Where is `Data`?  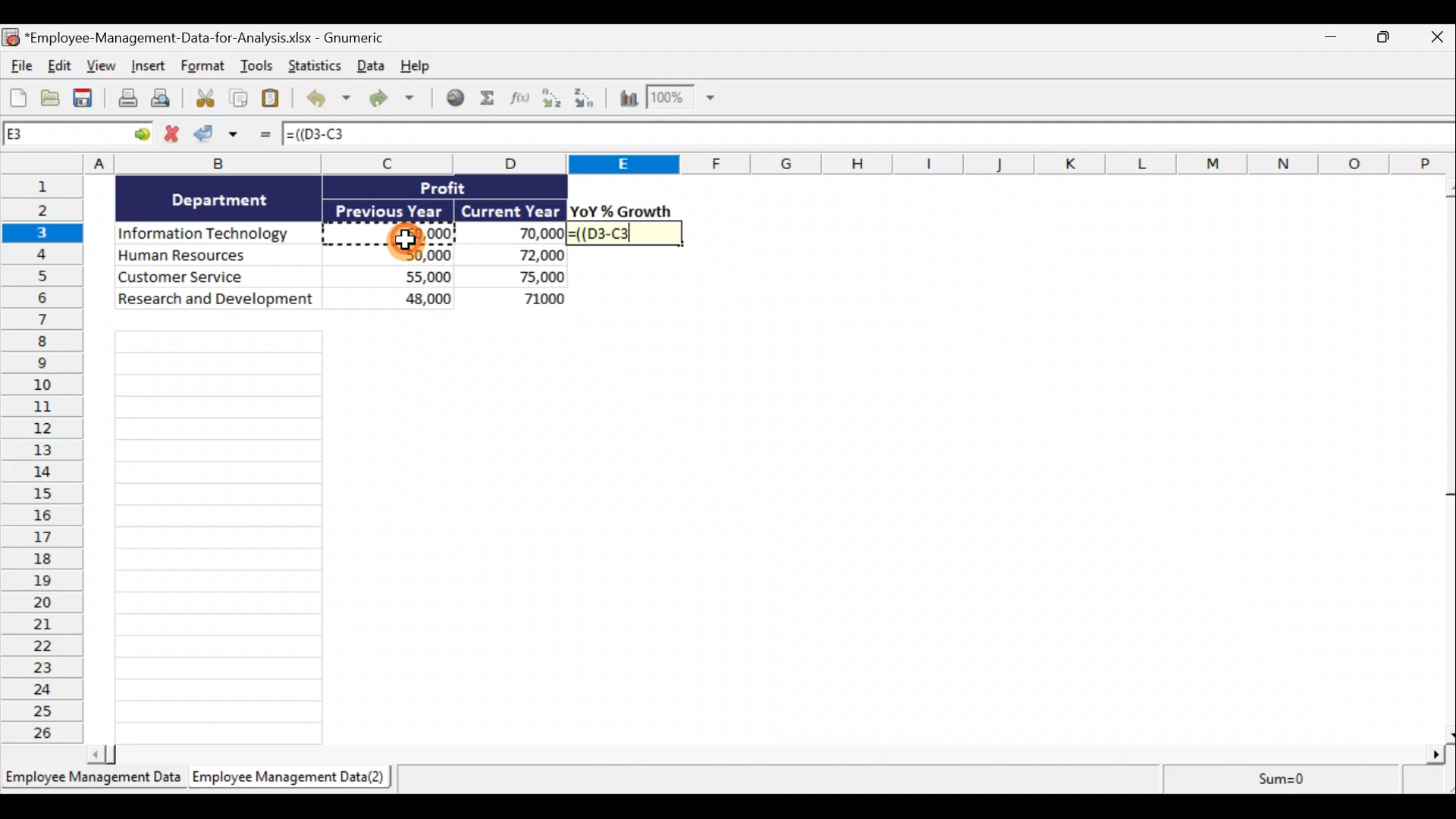
Data is located at coordinates (368, 67).